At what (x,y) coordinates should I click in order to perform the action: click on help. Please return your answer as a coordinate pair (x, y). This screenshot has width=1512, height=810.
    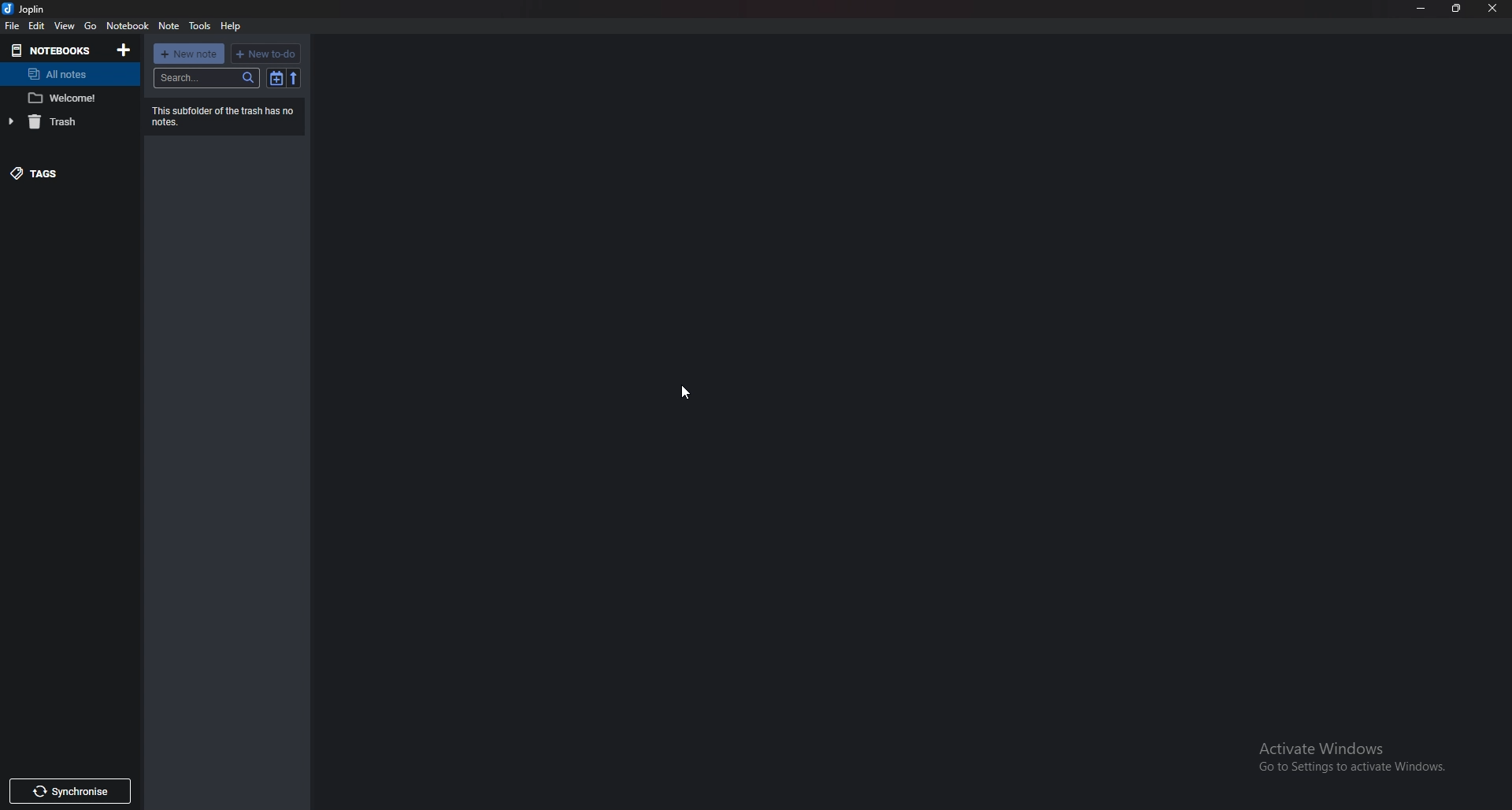
    Looking at the image, I should click on (233, 26).